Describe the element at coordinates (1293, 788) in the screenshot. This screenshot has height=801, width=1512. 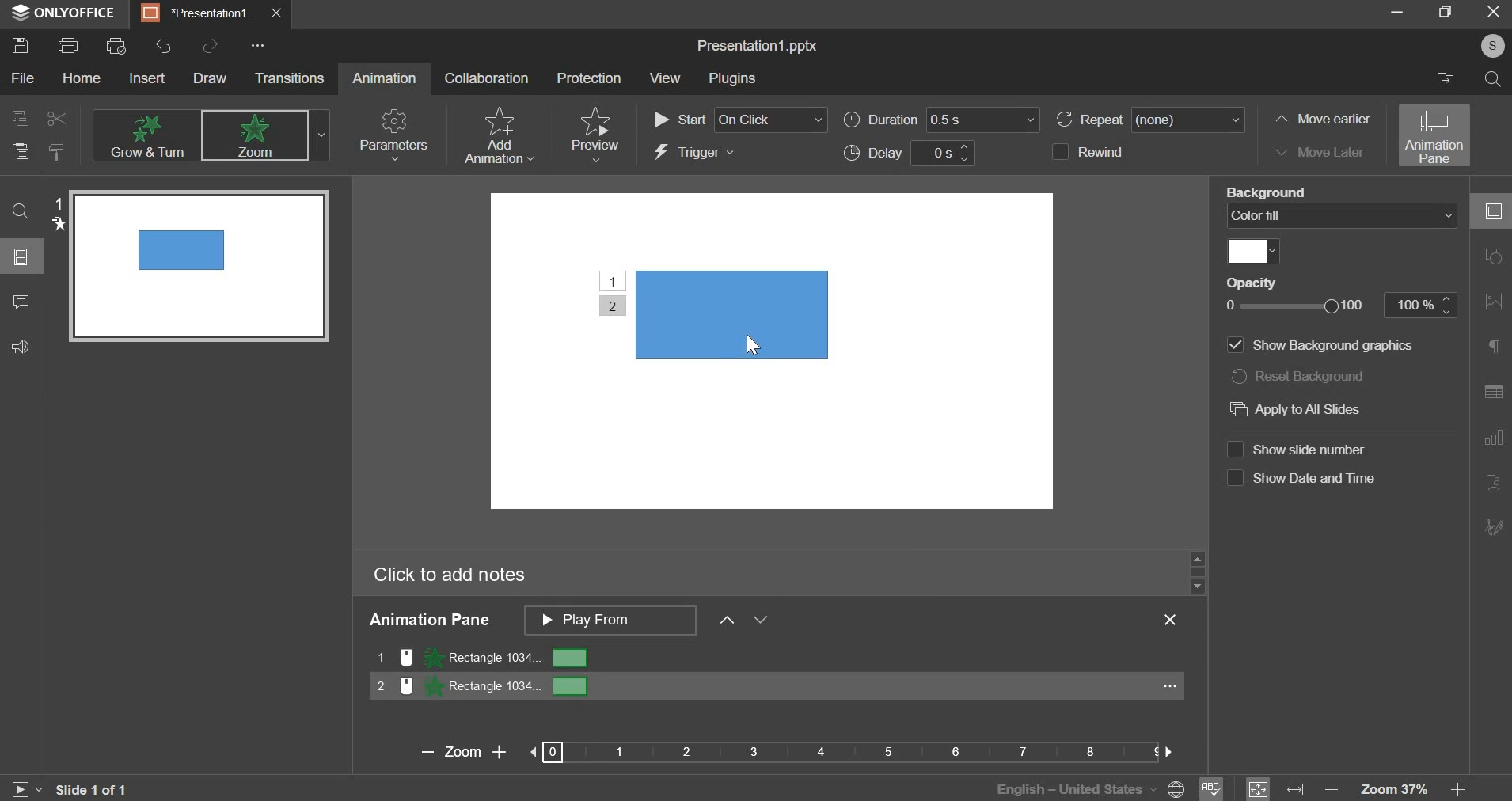
I see `fit to width` at that location.